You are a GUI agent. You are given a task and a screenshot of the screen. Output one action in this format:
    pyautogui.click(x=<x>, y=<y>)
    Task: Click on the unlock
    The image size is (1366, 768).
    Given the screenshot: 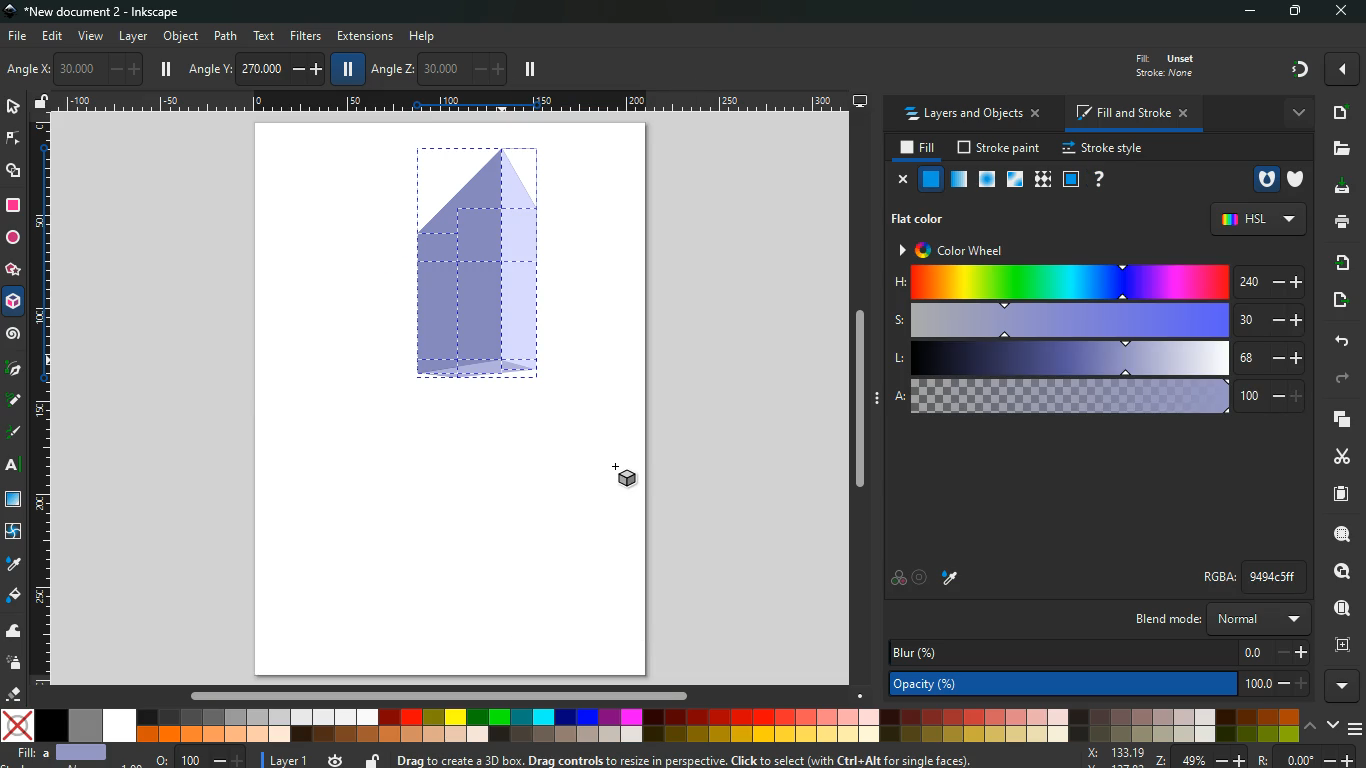 What is the action you would take?
    pyautogui.click(x=42, y=103)
    